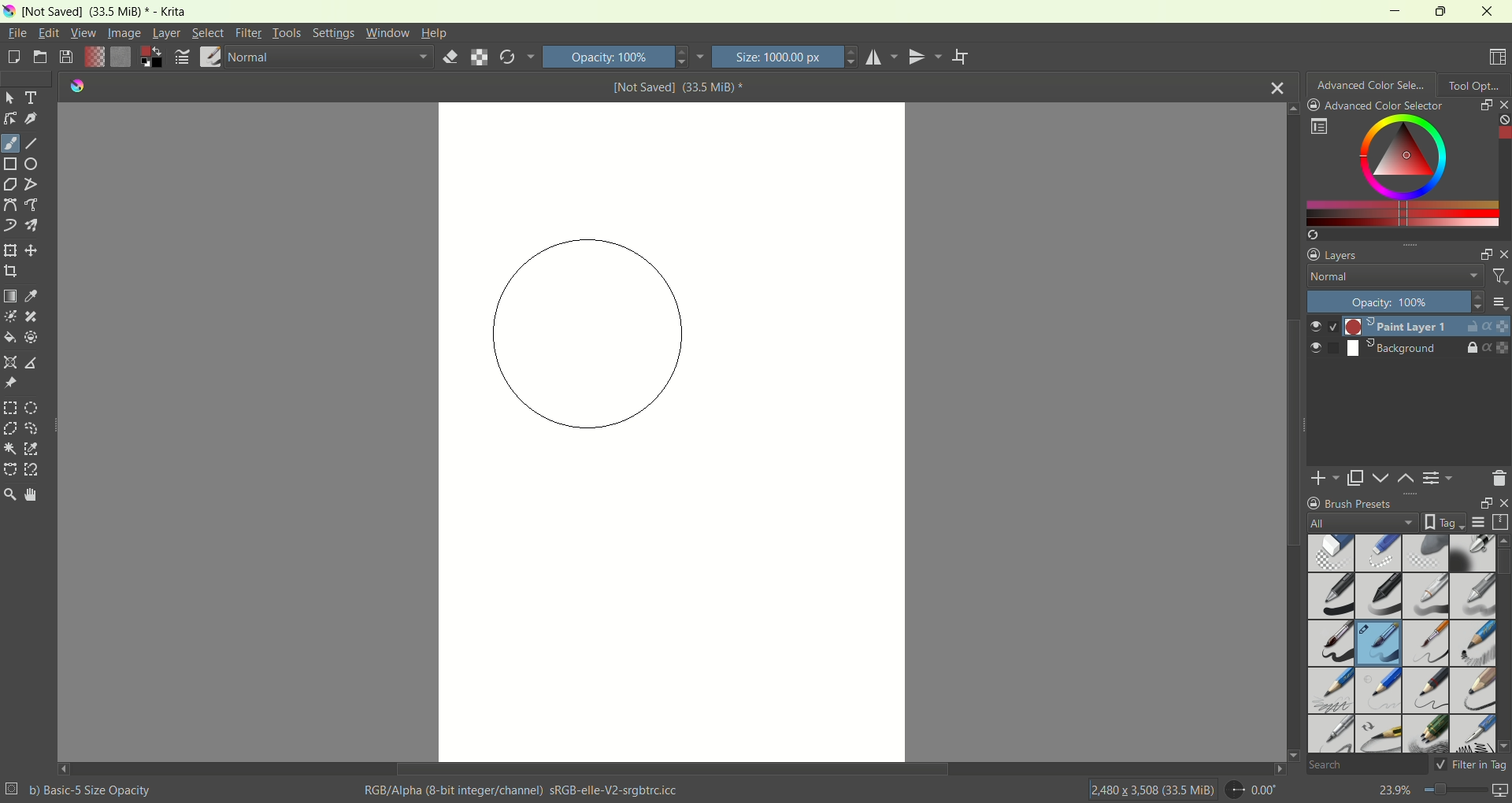  What do you see at coordinates (31, 339) in the screenshot?
I see `enclose and fill` at bounding box center [31, 339].